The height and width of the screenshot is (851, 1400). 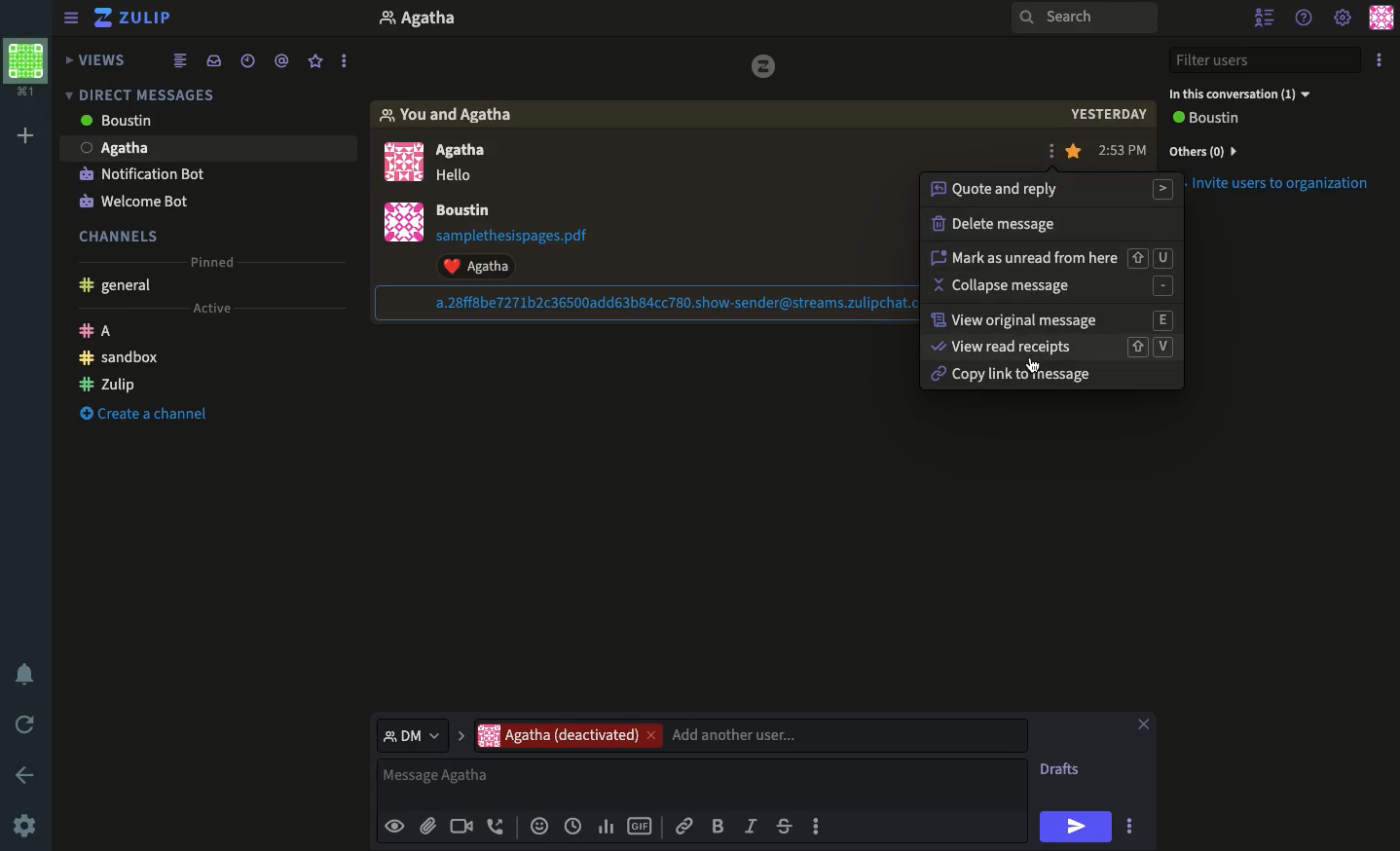 I want to click on User, so click(x=439, y=20).